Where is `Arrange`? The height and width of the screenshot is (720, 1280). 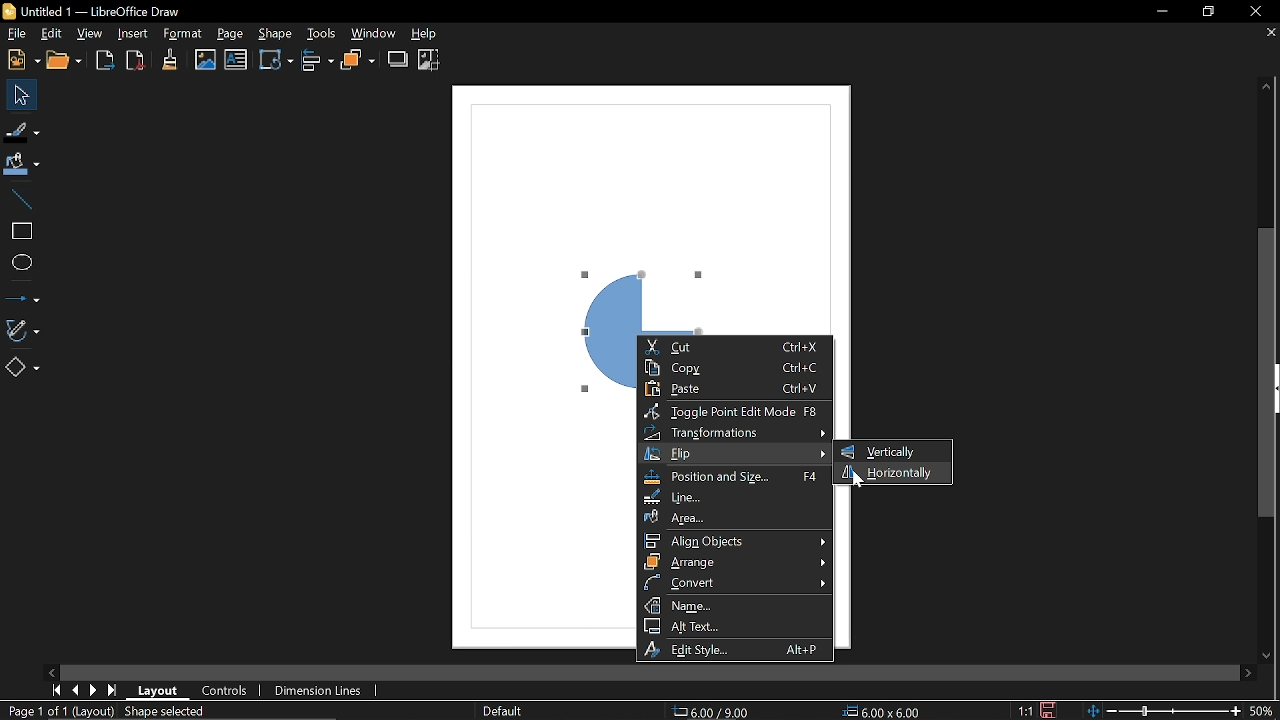 Arrange is located at coordinates (735, 561).